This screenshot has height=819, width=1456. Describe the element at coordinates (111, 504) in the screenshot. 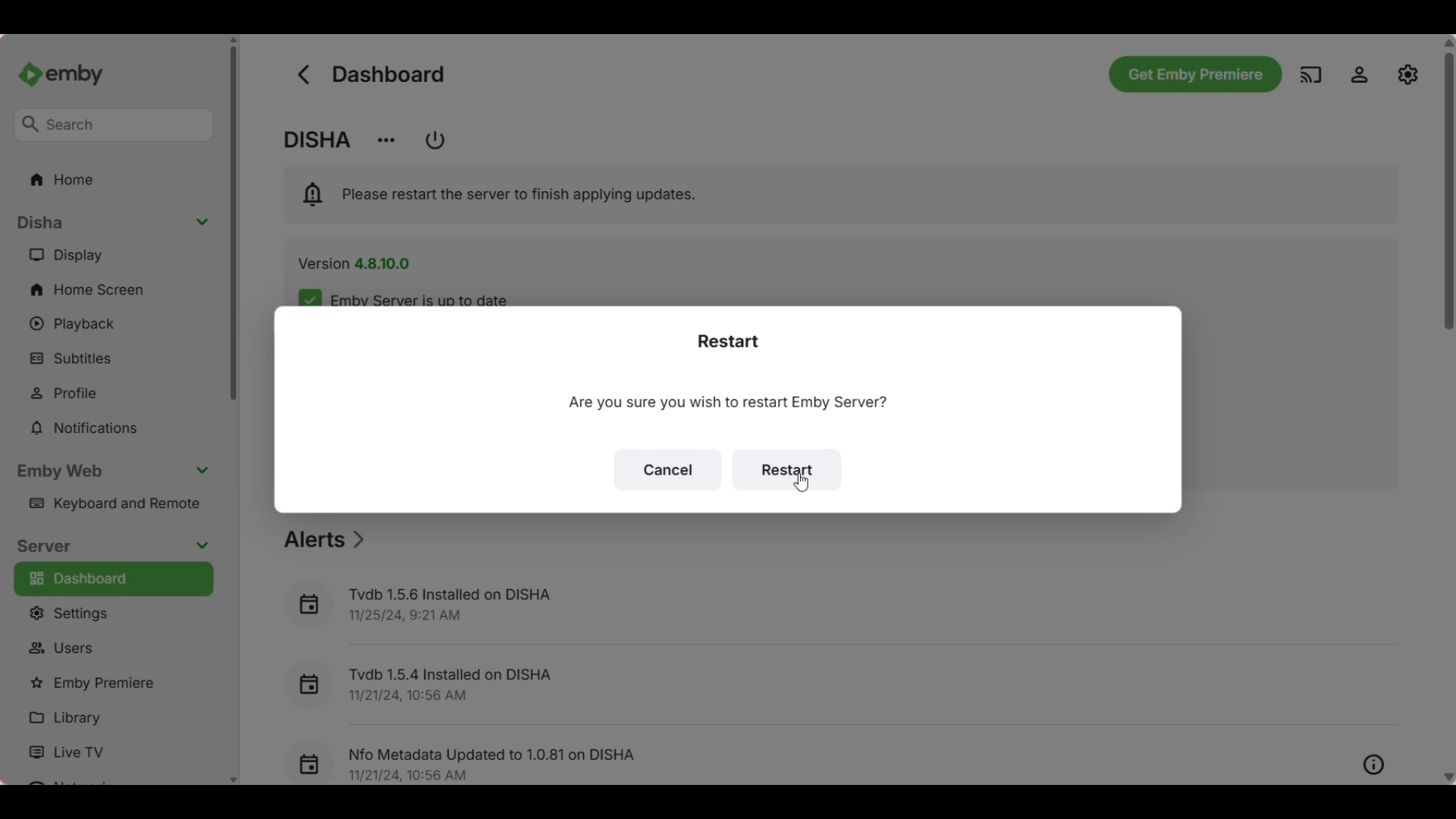

I see `Keyboard and remote` at that location.